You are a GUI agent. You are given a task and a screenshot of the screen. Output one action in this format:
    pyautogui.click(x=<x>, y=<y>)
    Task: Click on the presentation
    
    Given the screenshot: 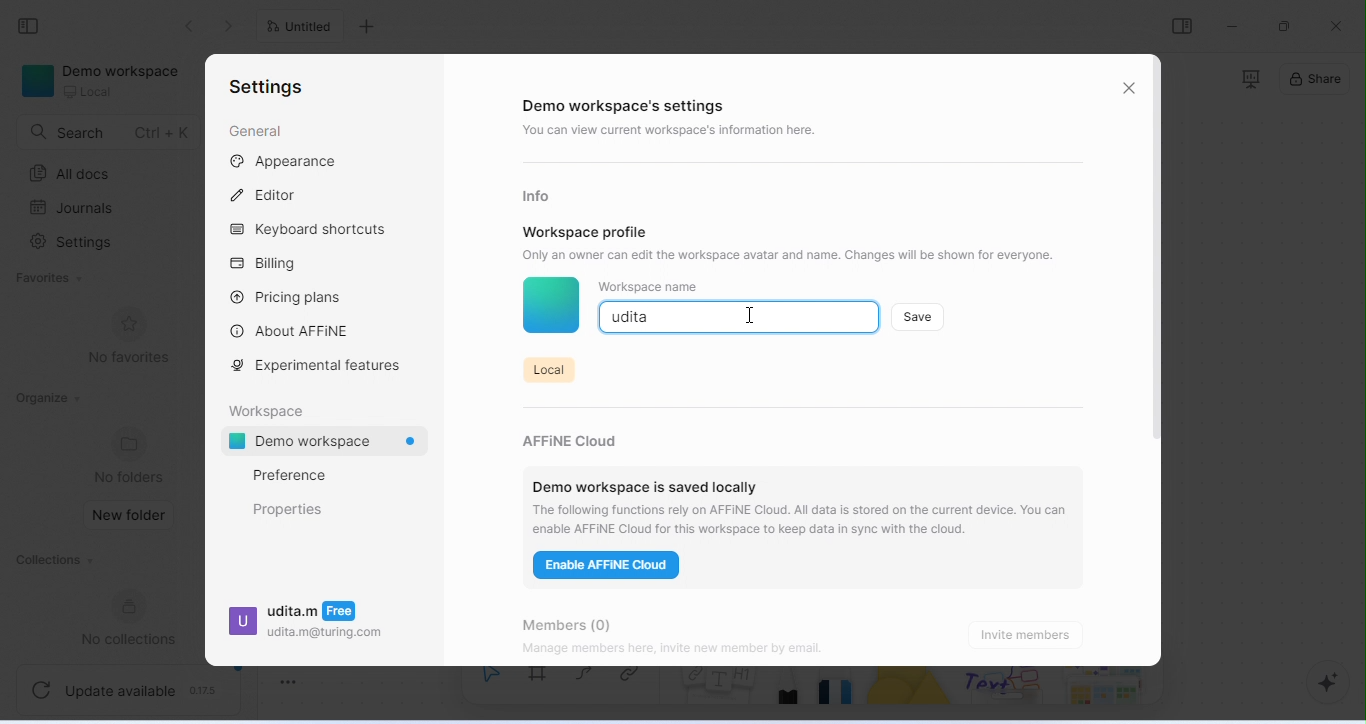 What is the action you would take?
    pyautogui.click(x=1249, y=79)
    